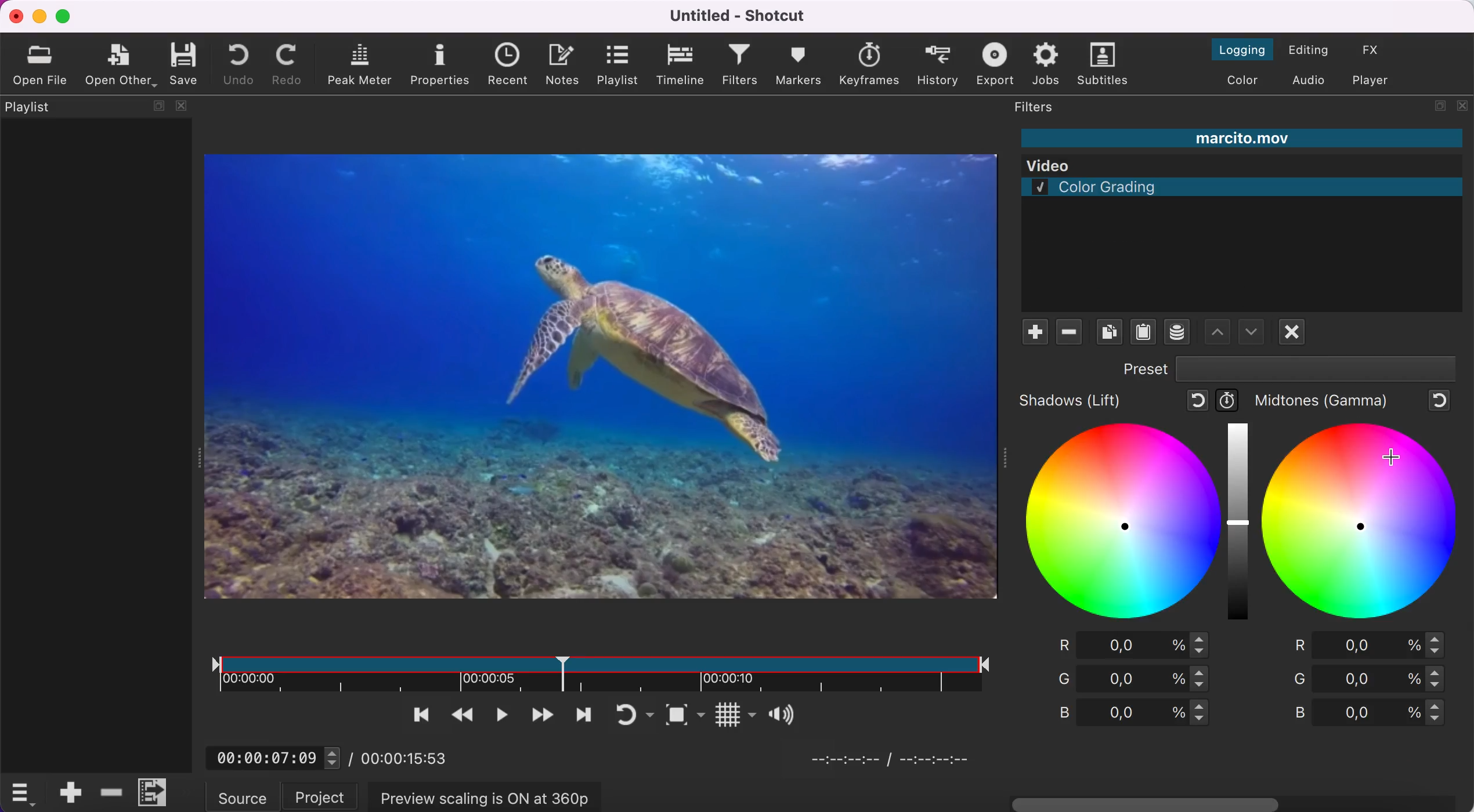 Image resolution: width=1474 pixels, height=812 pixels. I want to click on export, so click(994, 64).